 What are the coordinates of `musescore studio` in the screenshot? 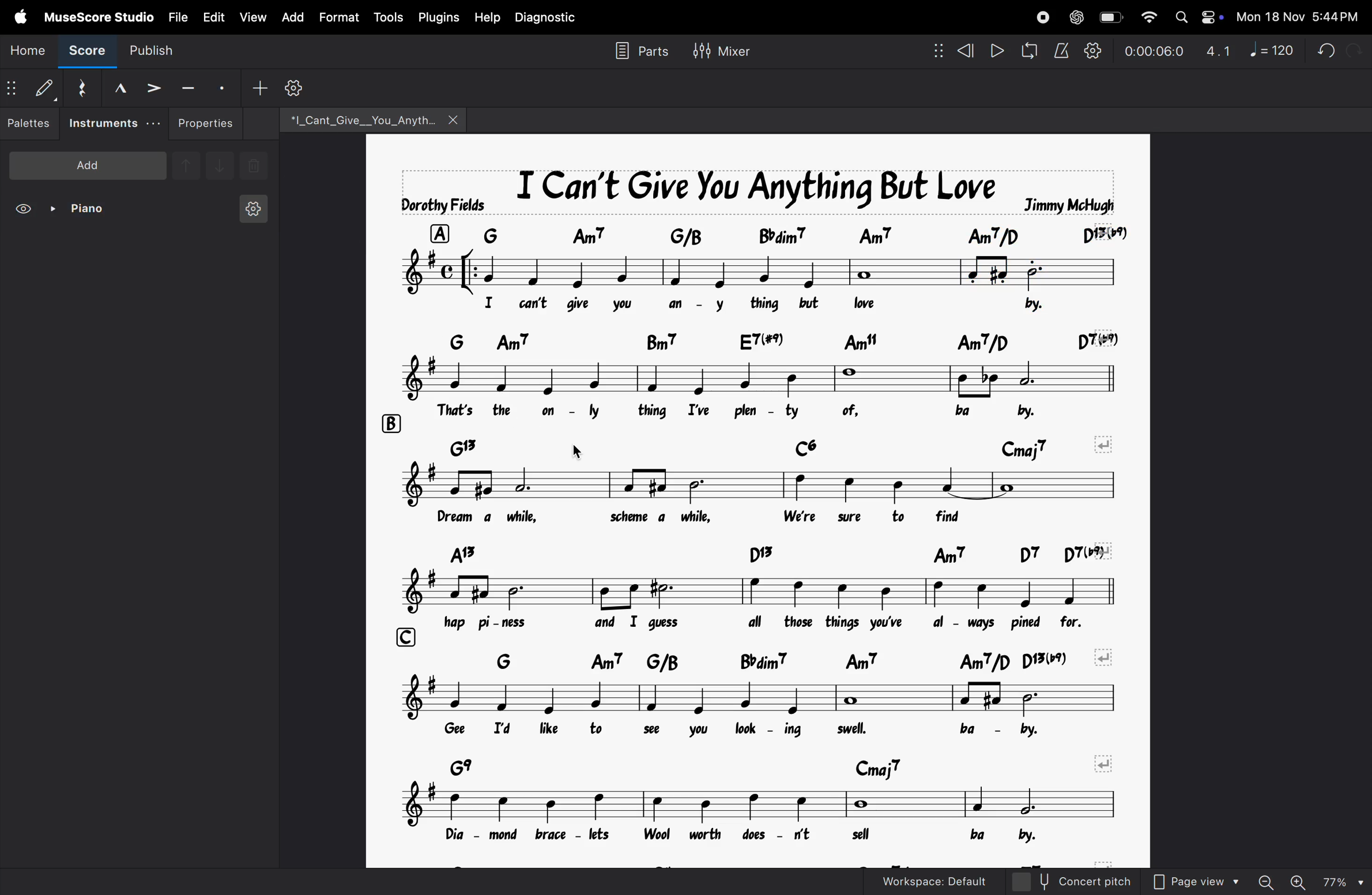 It's located at (98, 18).